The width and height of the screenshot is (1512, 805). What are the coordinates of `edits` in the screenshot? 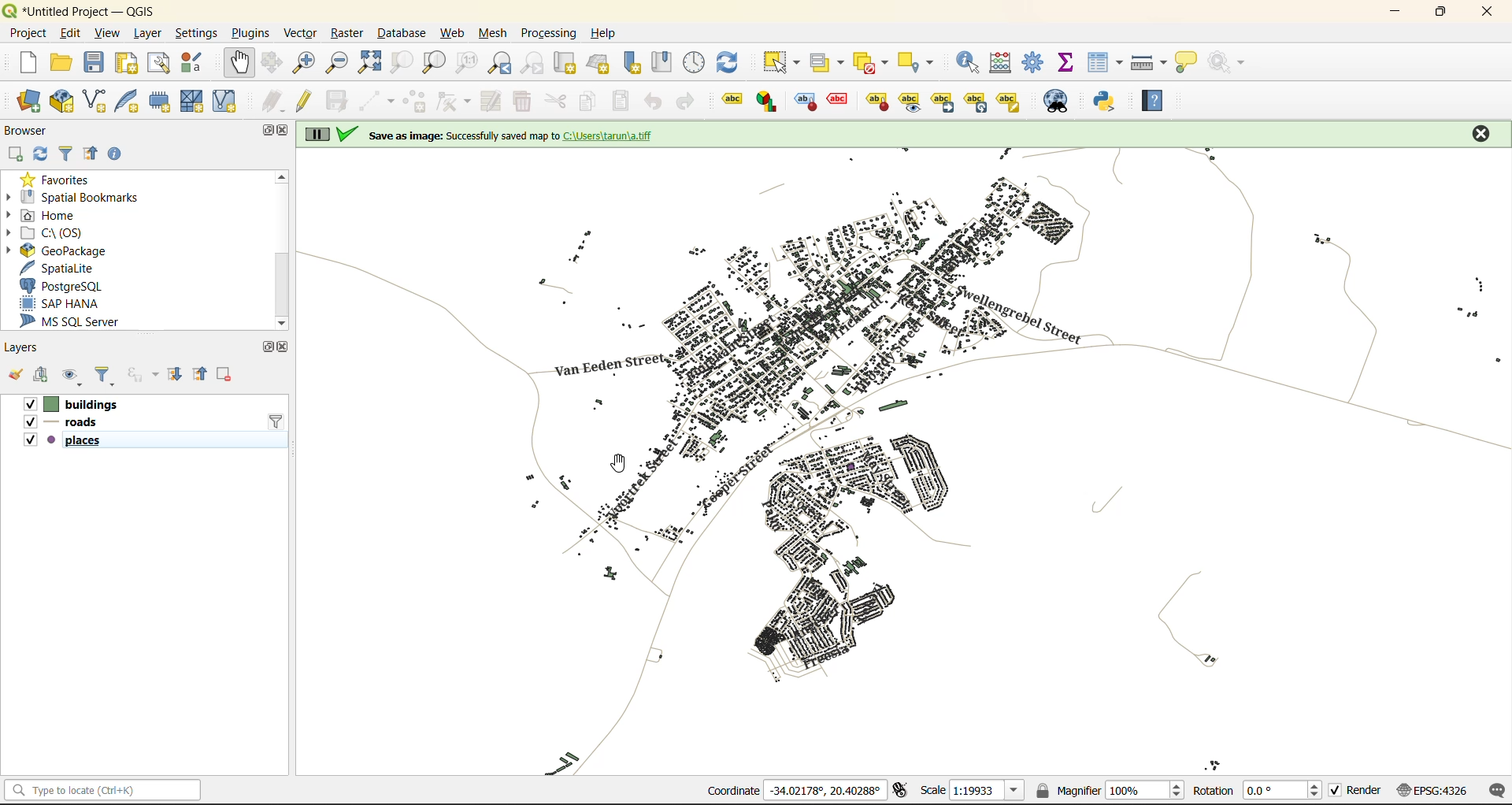 It's located at (273, 101).